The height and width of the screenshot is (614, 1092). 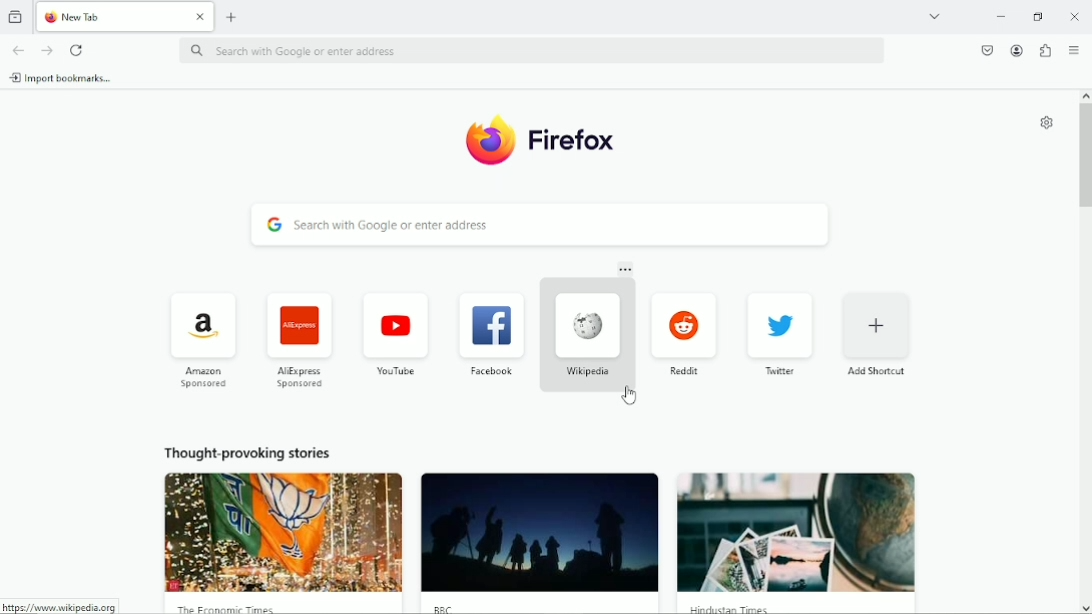 What do you see at coordinates (228, 607) in the screenshot?
I see `The Economic Times` at bounding box center [228, 607].